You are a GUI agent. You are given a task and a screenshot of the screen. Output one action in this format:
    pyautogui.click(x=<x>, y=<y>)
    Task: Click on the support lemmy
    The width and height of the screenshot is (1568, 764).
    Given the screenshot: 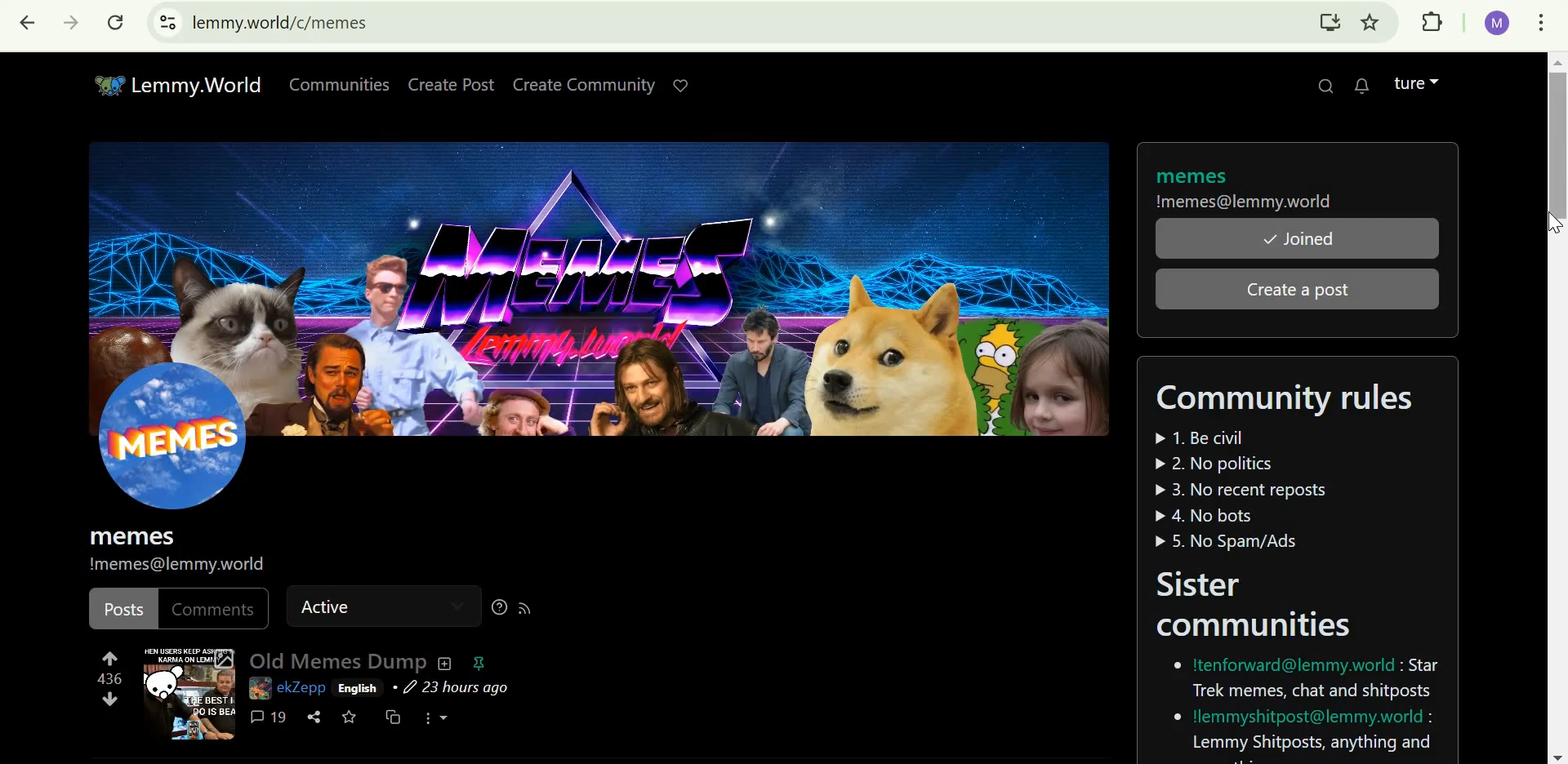 What is the action you would take?
    pyautogui.click(x=679, y=85)
    